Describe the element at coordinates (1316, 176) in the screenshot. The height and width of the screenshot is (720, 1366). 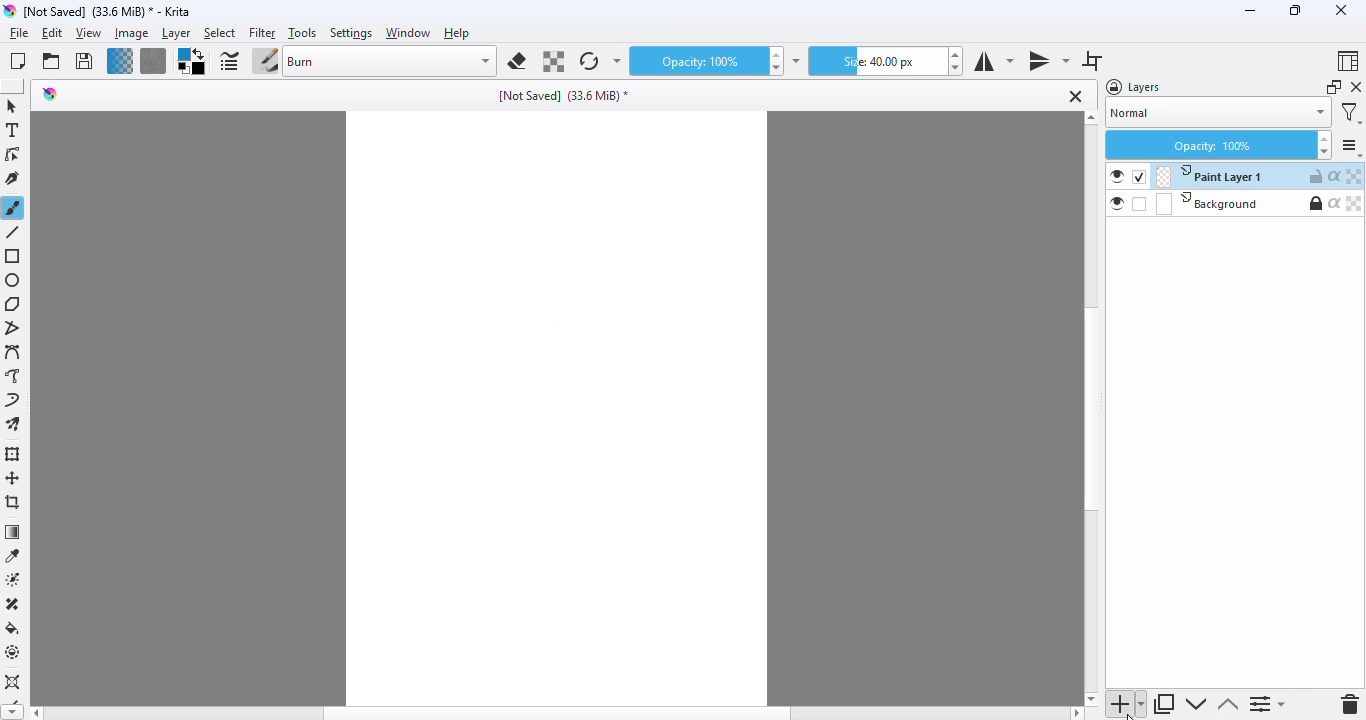
I see `unlocked` at that location.